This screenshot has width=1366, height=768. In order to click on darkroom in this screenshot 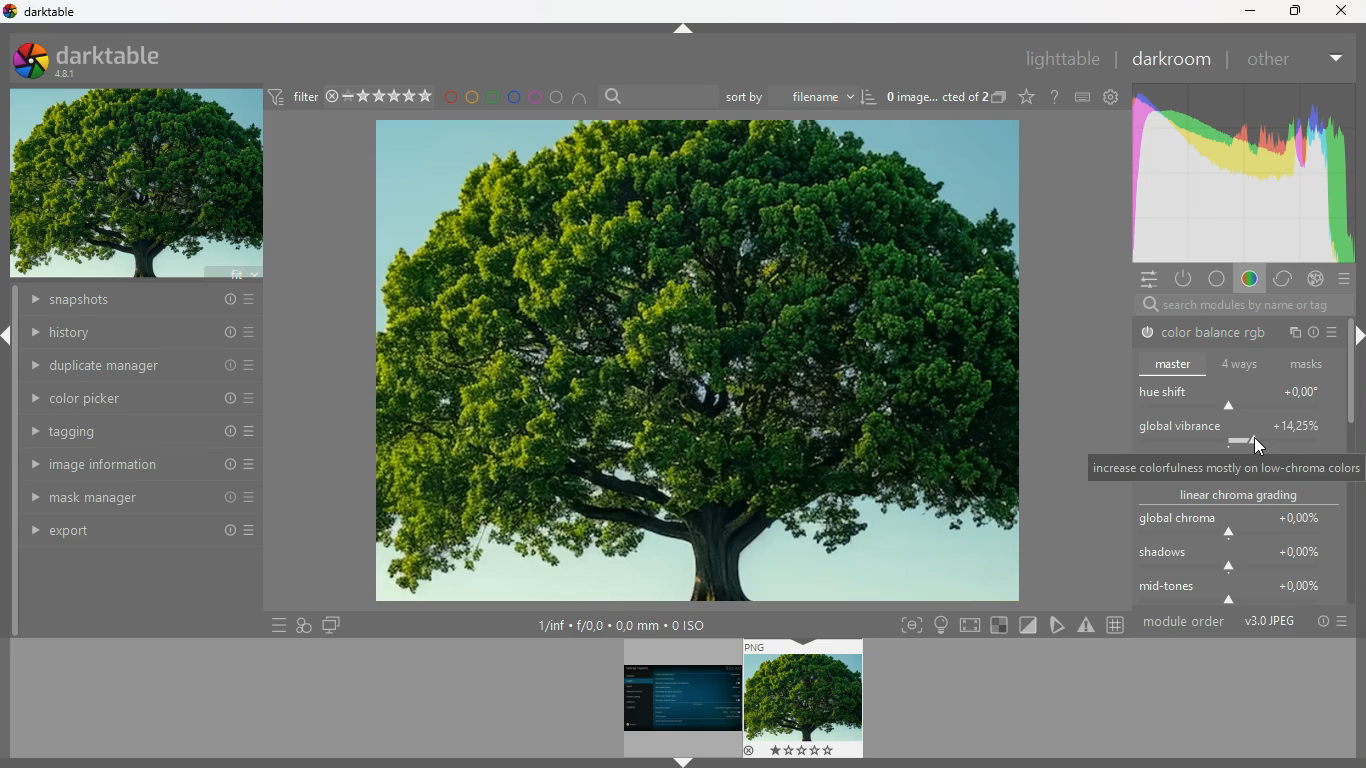, I will do `click(1170, 59)`.